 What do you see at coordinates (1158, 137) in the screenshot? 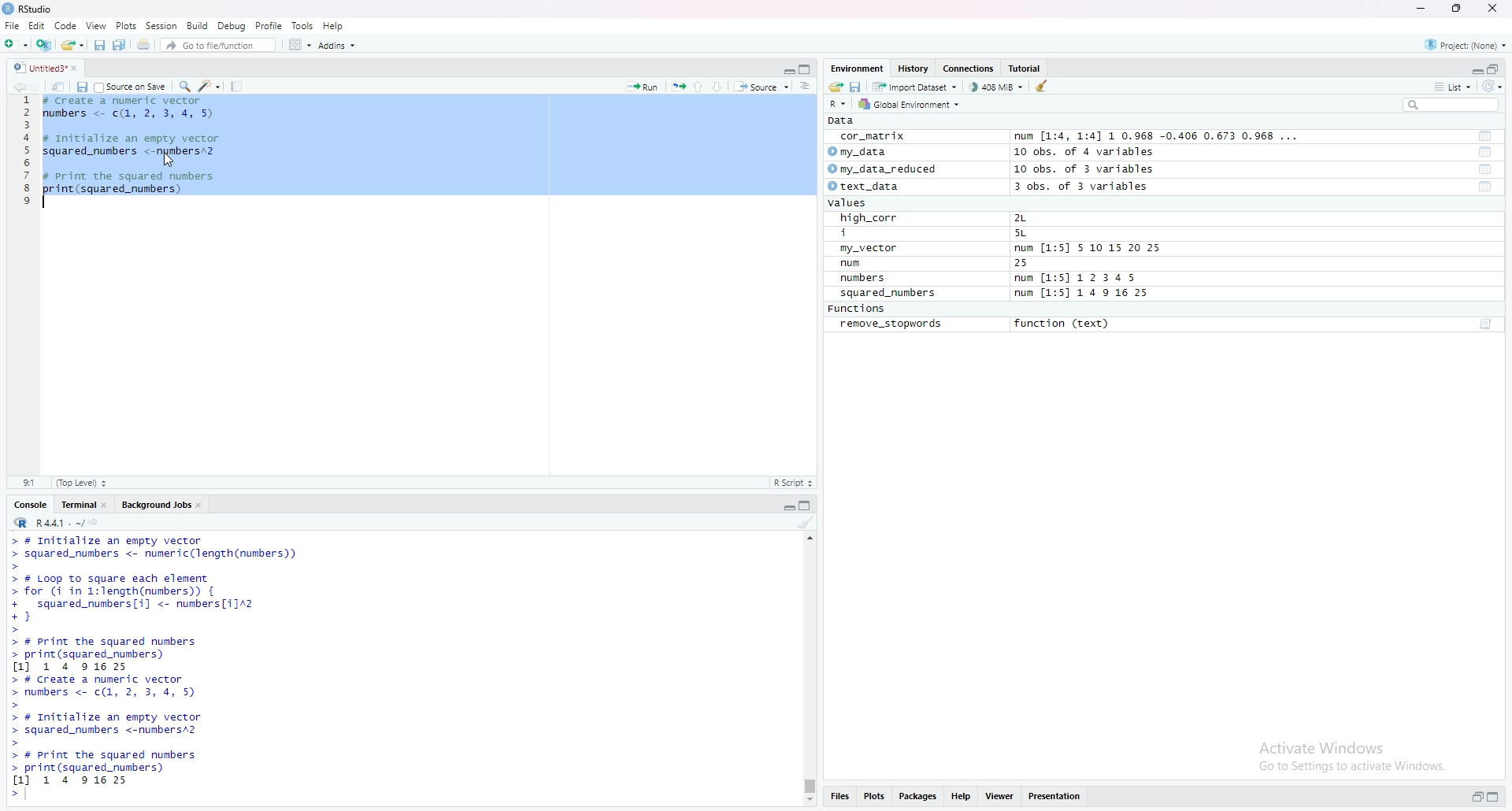
I see `num [1:4, 1:4] 1 0.968 -0.406 0.673 0.968 ...` at bounding box center [1158, 137].